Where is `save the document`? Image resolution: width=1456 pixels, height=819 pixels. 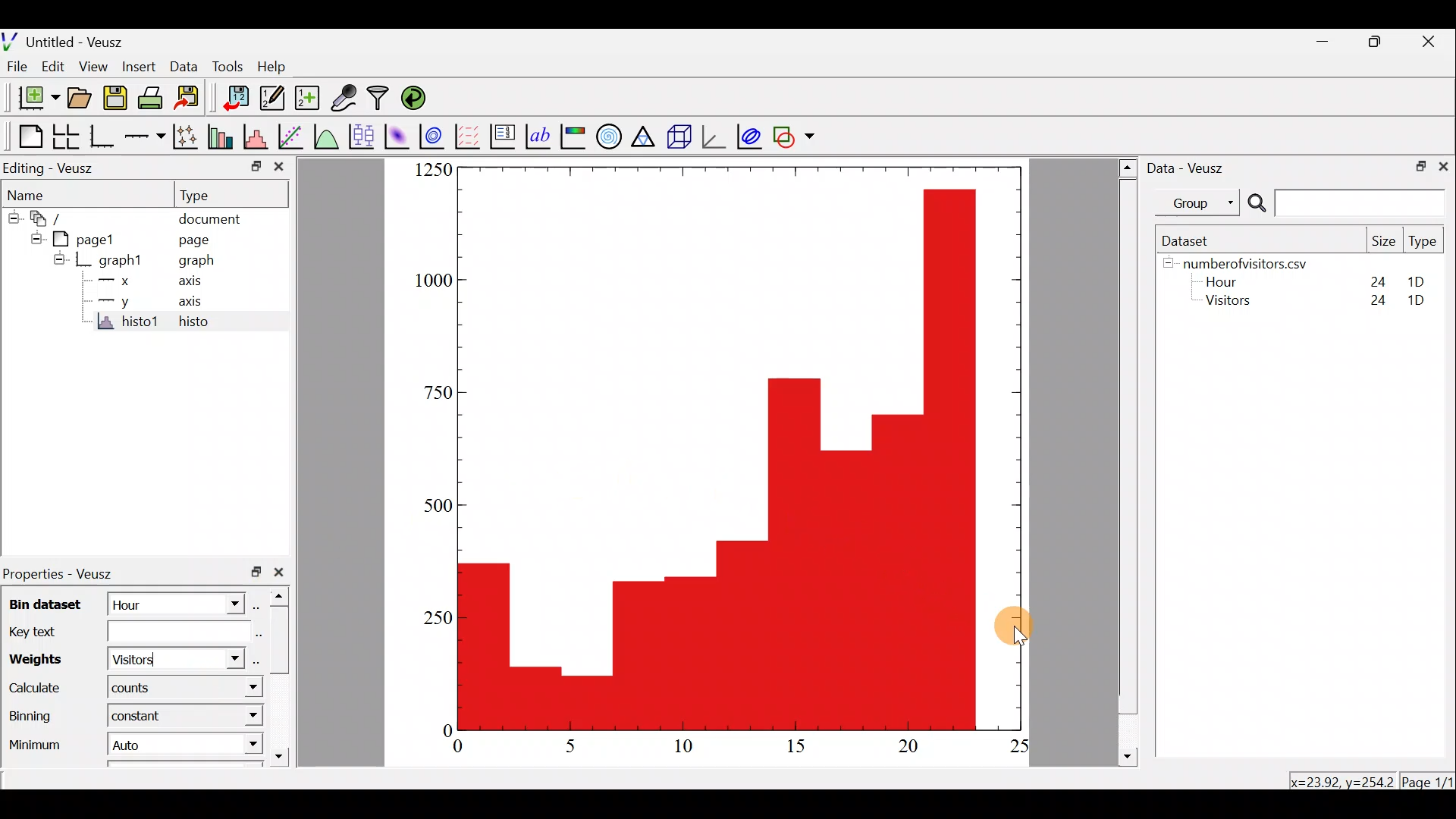
save the document is located at coordinates (115, 99).